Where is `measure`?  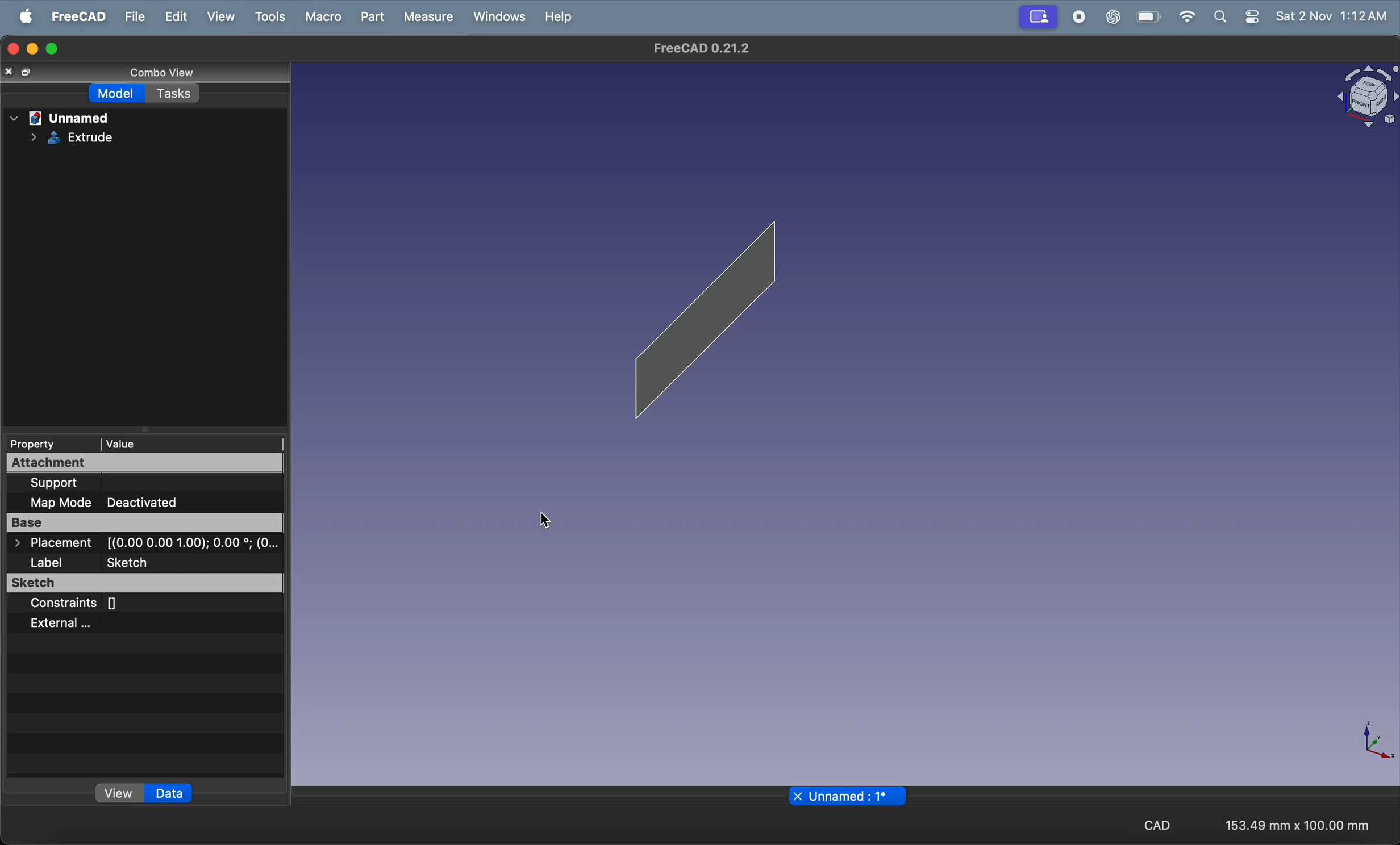
measure is located at coordinates (428, 16).